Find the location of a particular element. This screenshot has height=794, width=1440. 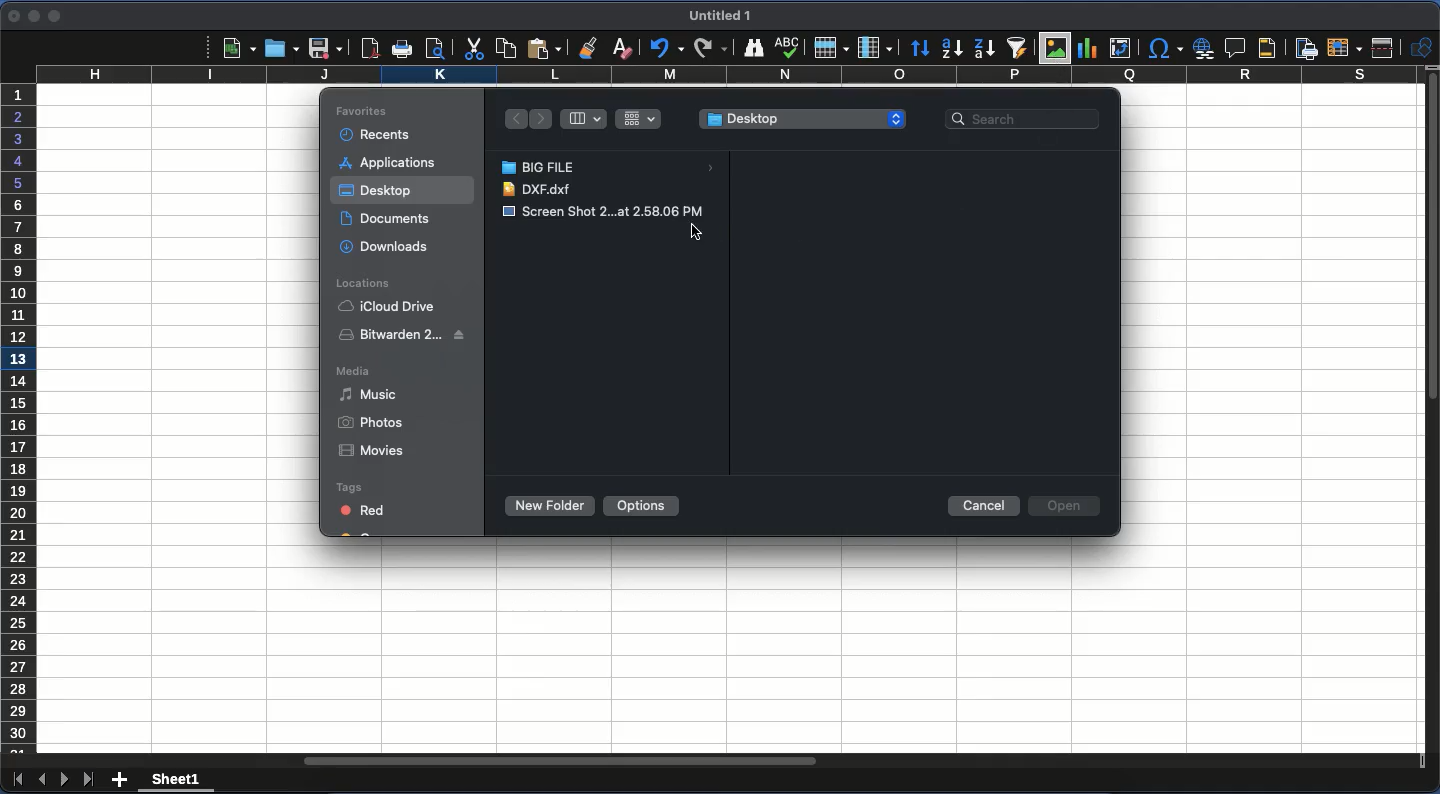

clear formatting is located at coordinates (619, 47).